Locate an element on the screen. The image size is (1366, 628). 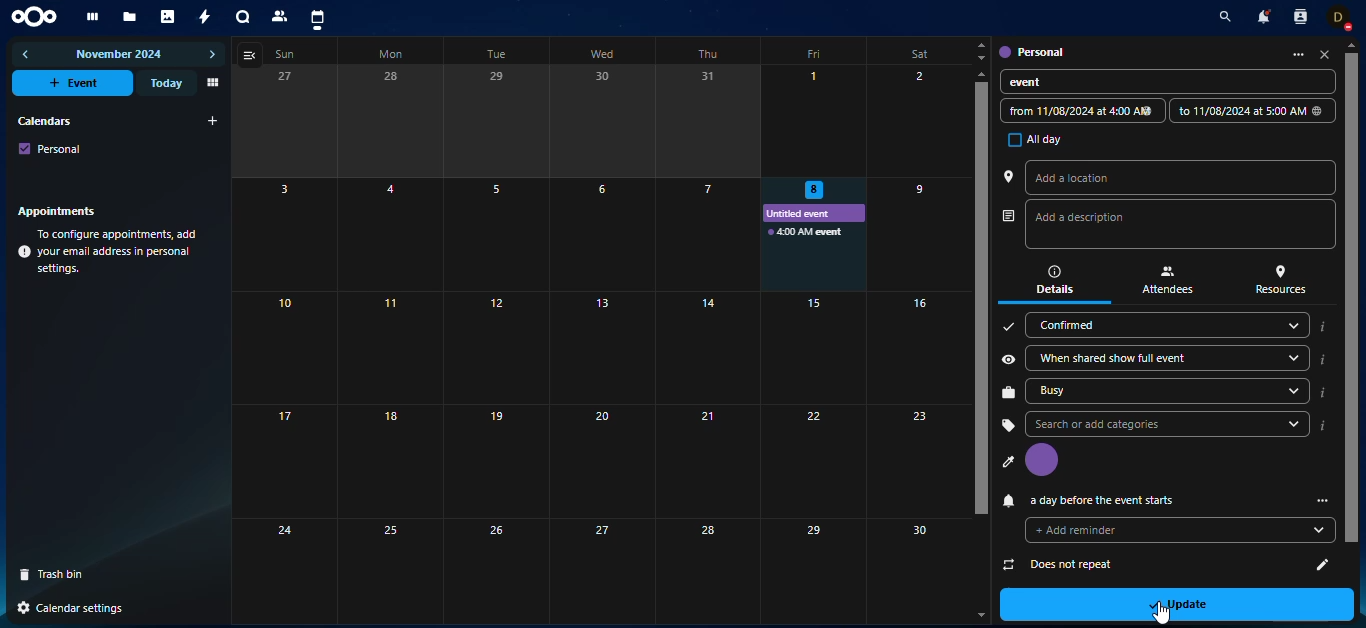
29 is located at coordinates (808, 571).